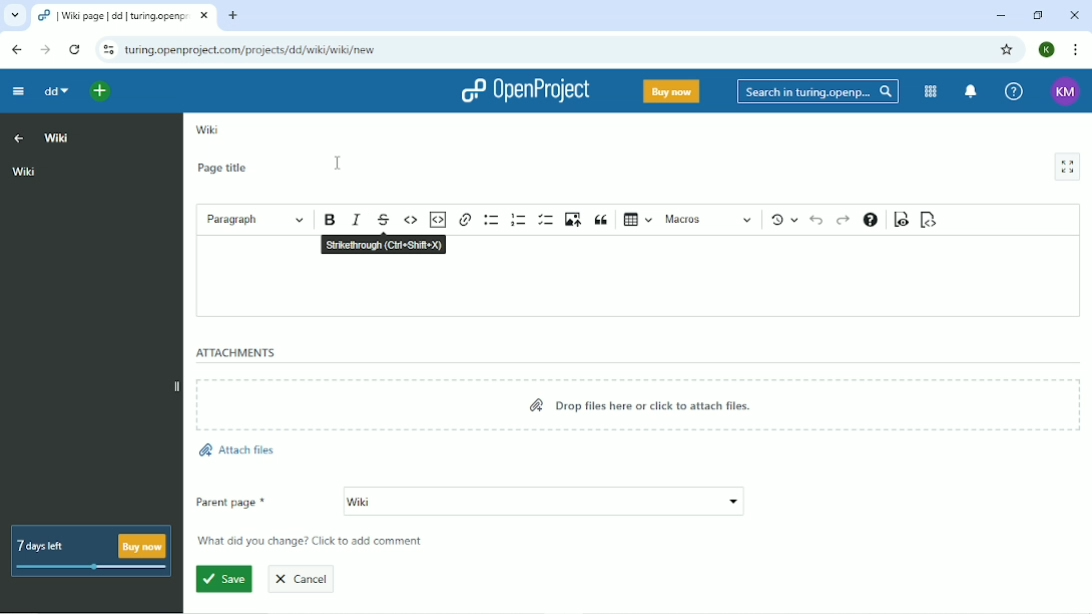 The width and height of the screenshot is (1092, 614). I want to click on Up, so click(16, 136).